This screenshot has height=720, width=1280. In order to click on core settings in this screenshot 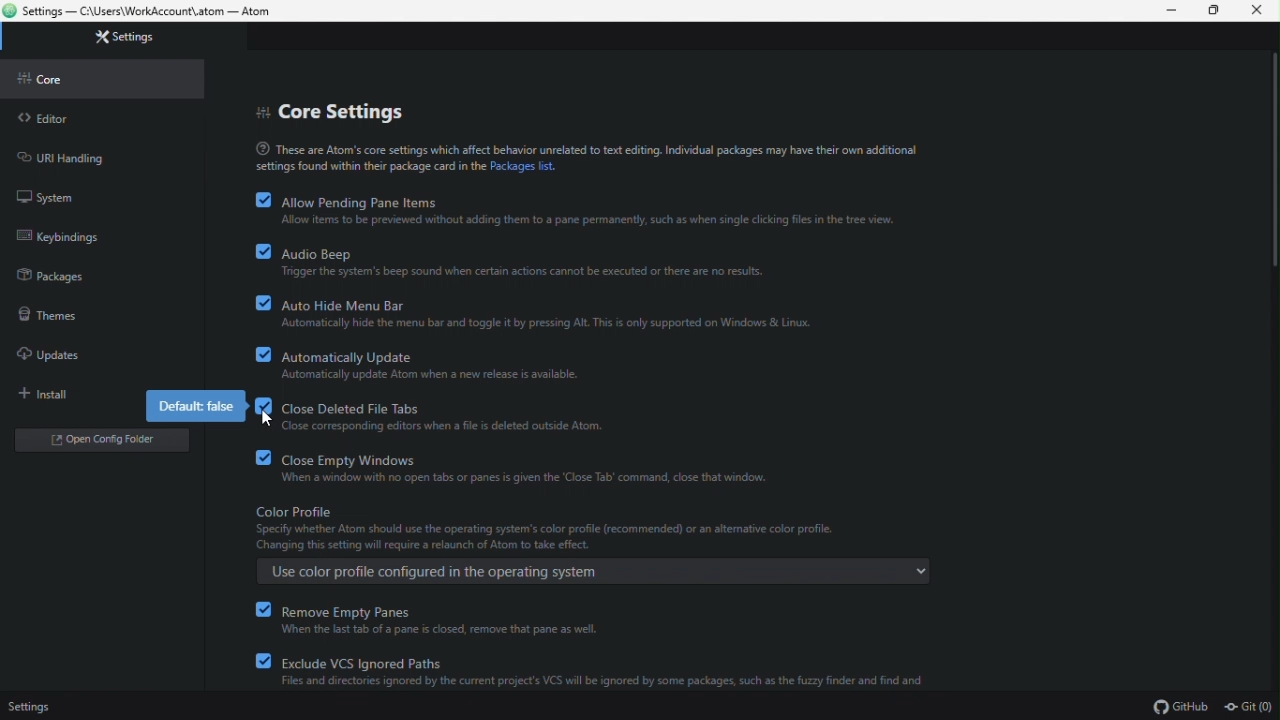, I will do `click(332, 109)`.